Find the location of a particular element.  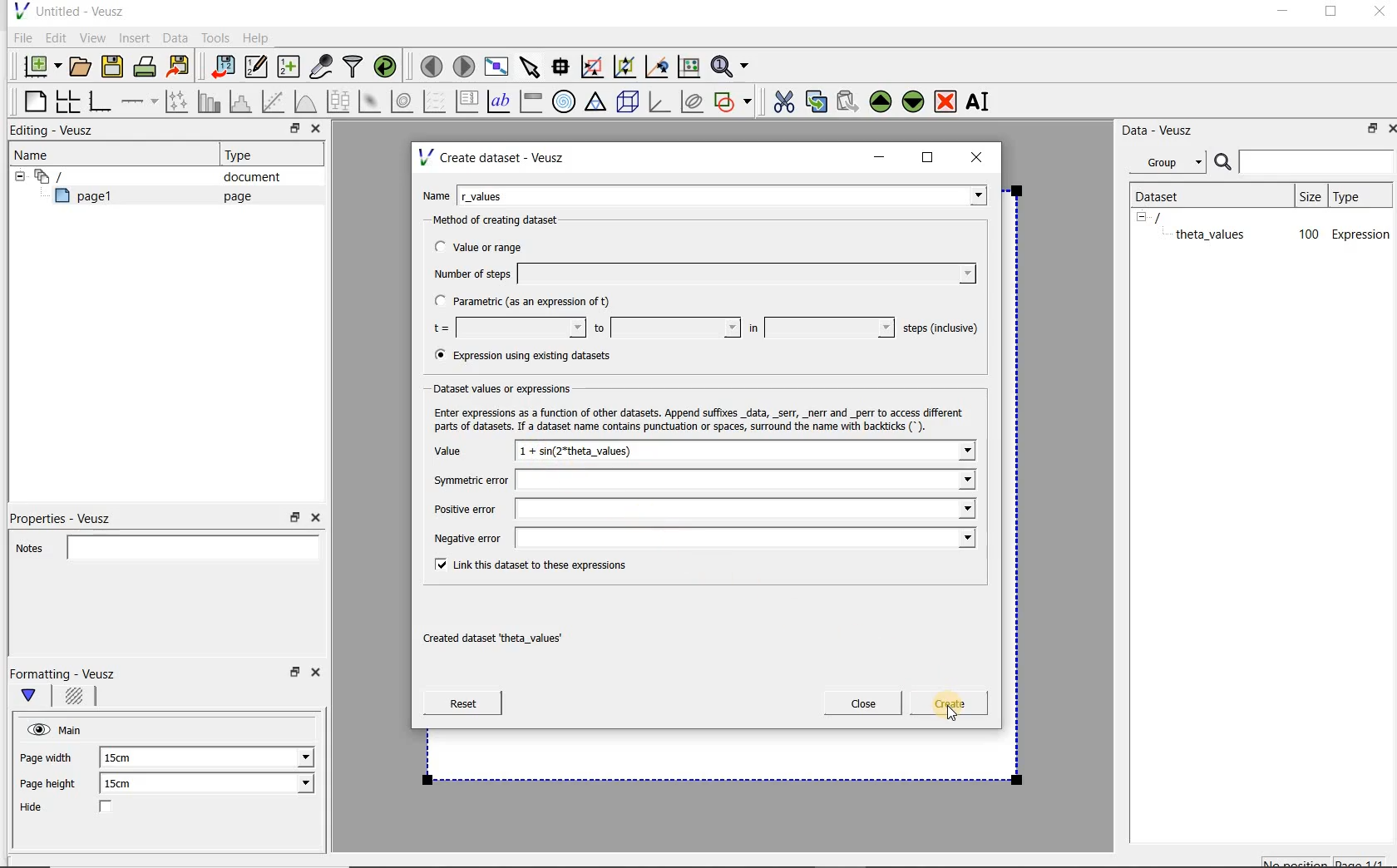

plot a 2d dataset as contours is located at coordinates (403, 101).